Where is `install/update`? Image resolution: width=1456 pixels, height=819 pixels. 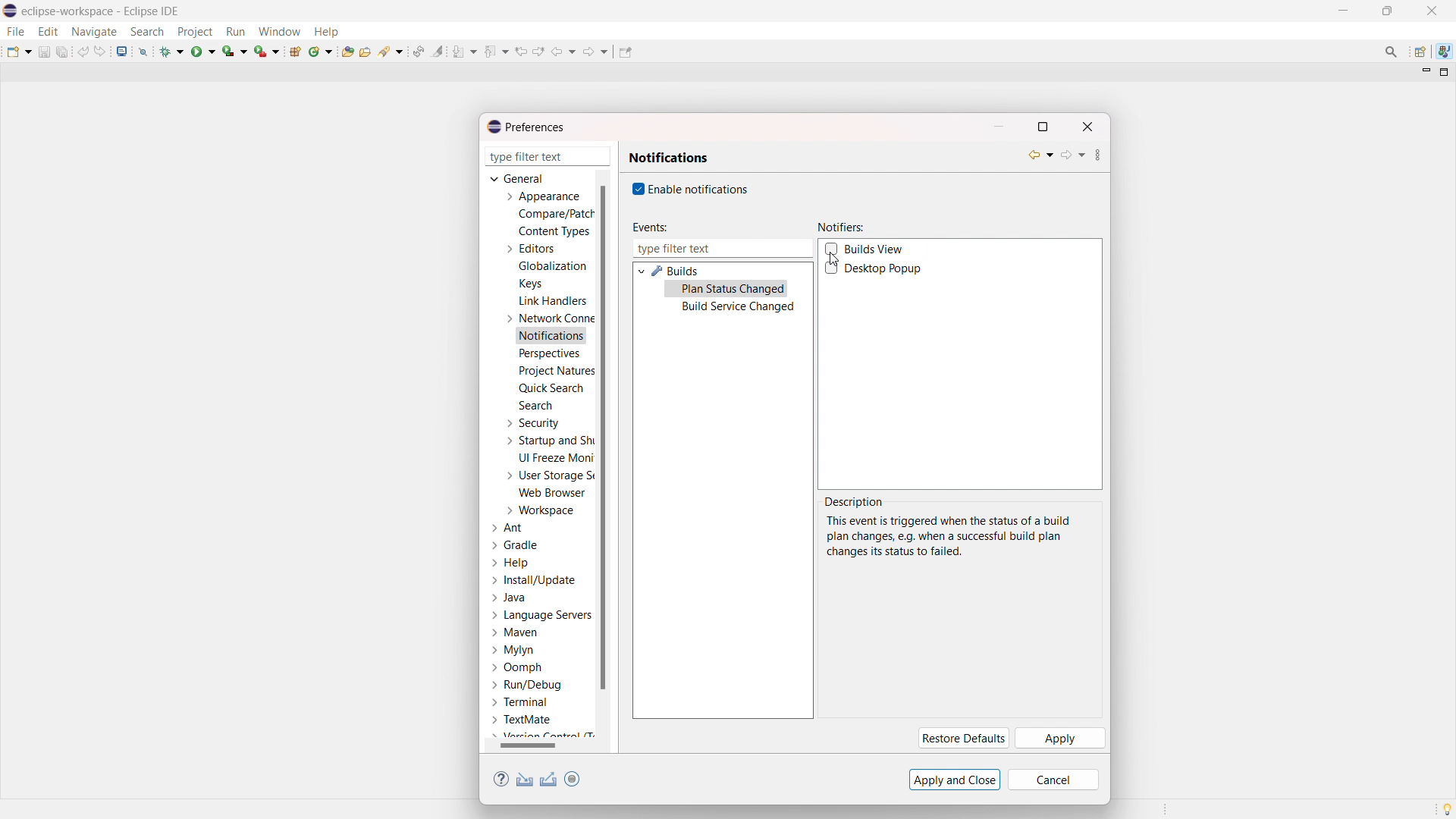
install/update is located at coordinates (535, 581).